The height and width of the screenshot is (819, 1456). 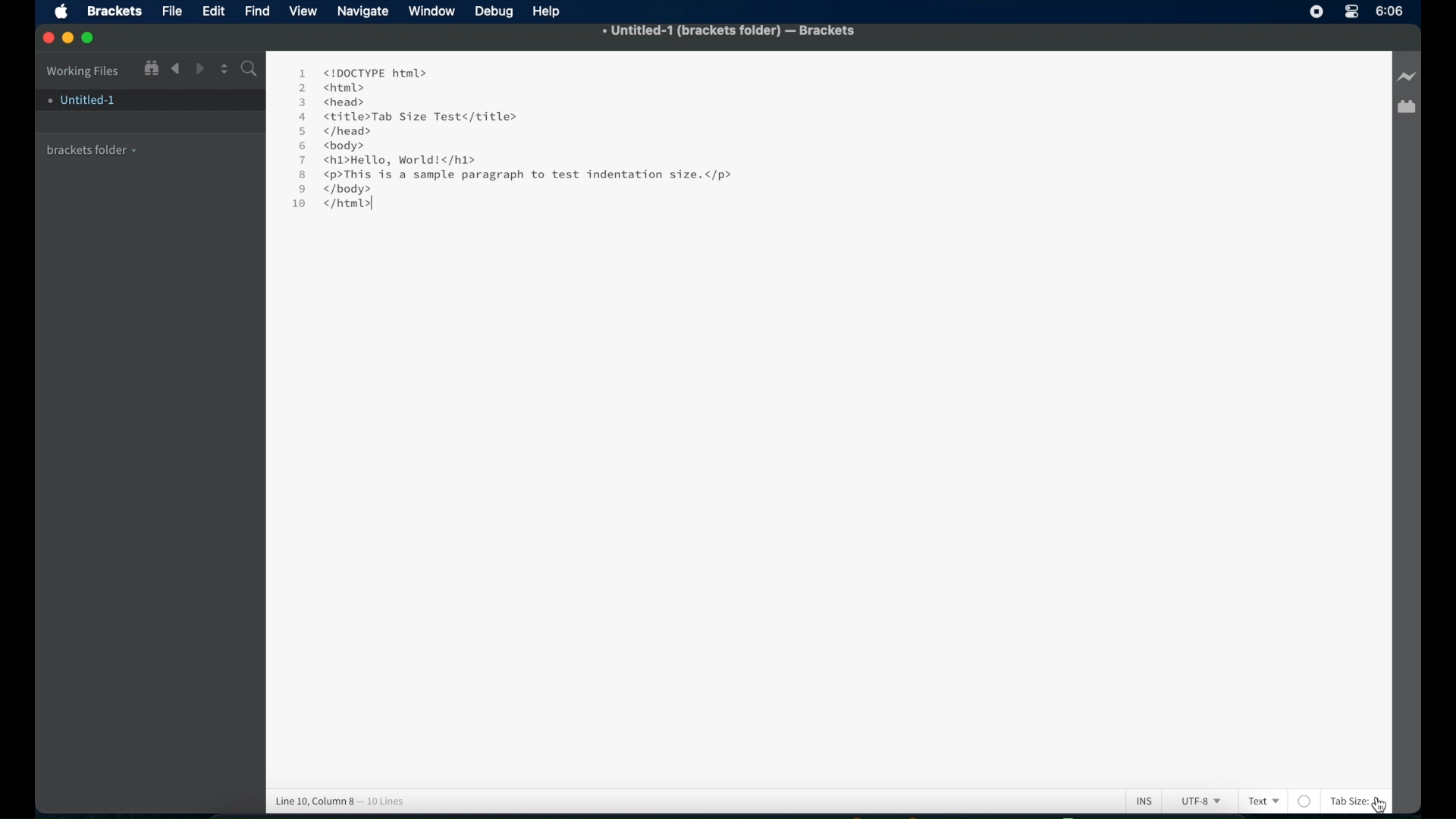 I want to click on Debug, so click(x=496, y=12).